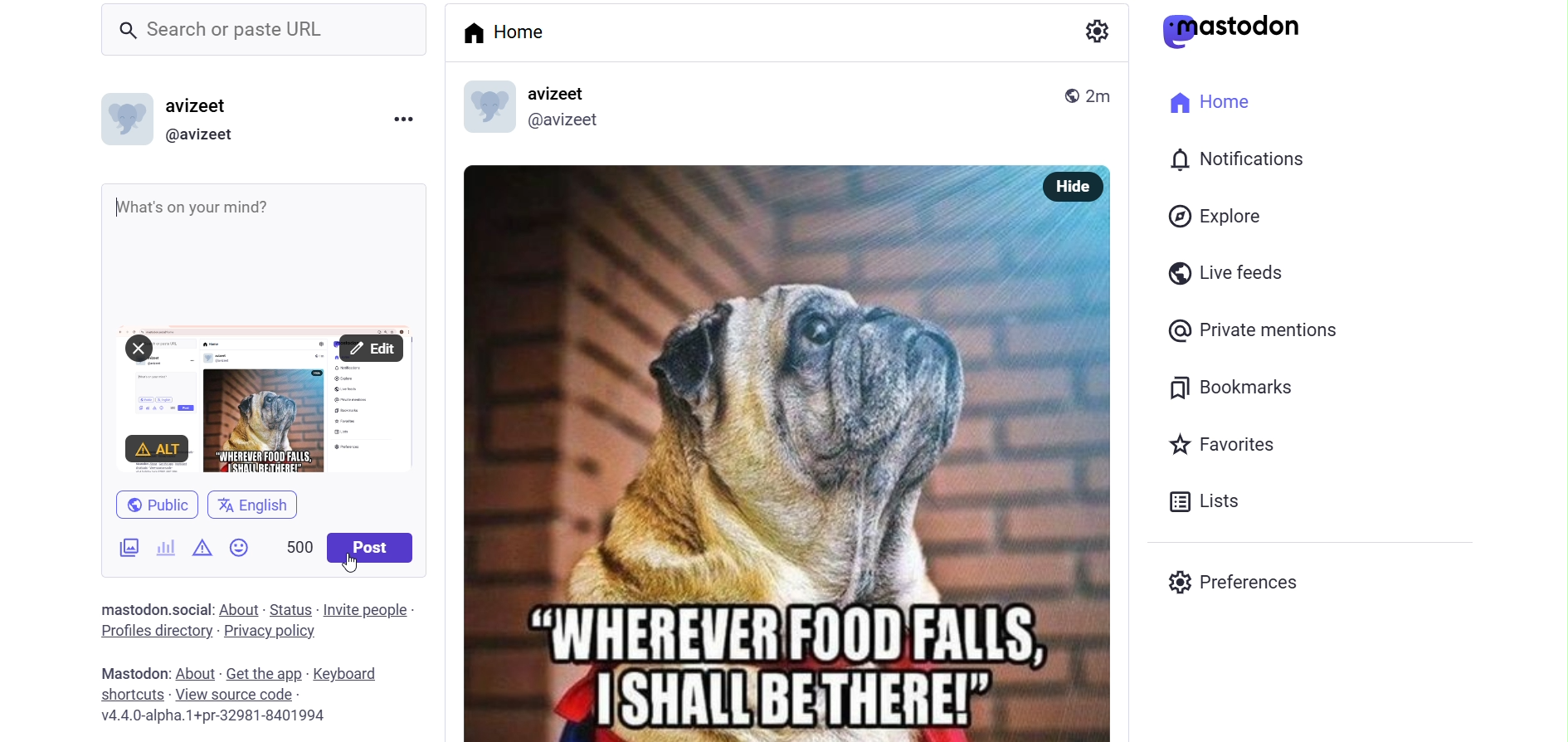 Image resolution: width=1568 pixels, height=742 pixels. What do you see at coordinates (152, 630) in the screenshot?
I see `profiles directory` at bounding box center [152, 630].